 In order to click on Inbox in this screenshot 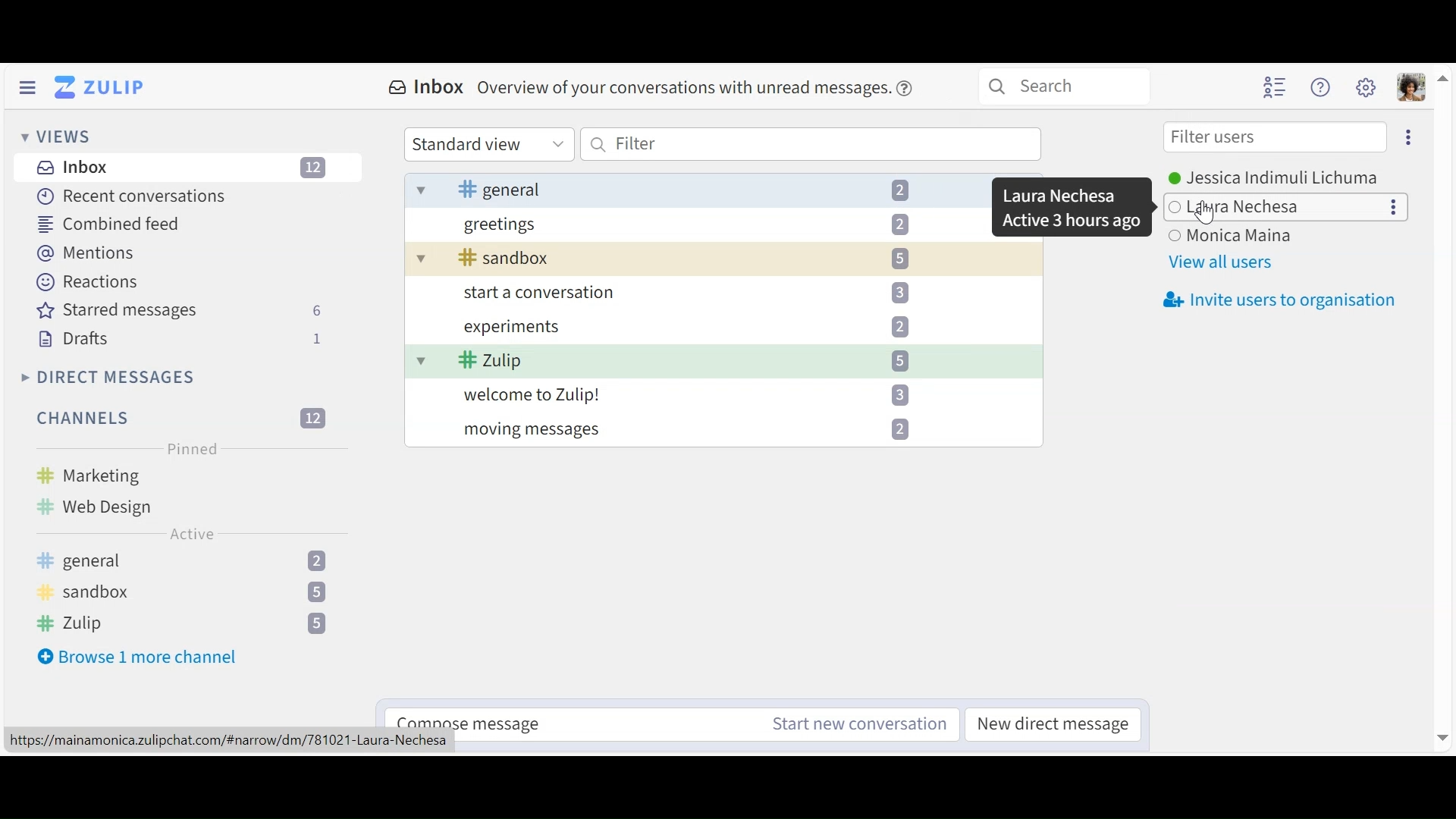, I will do `click(657, 89)`.